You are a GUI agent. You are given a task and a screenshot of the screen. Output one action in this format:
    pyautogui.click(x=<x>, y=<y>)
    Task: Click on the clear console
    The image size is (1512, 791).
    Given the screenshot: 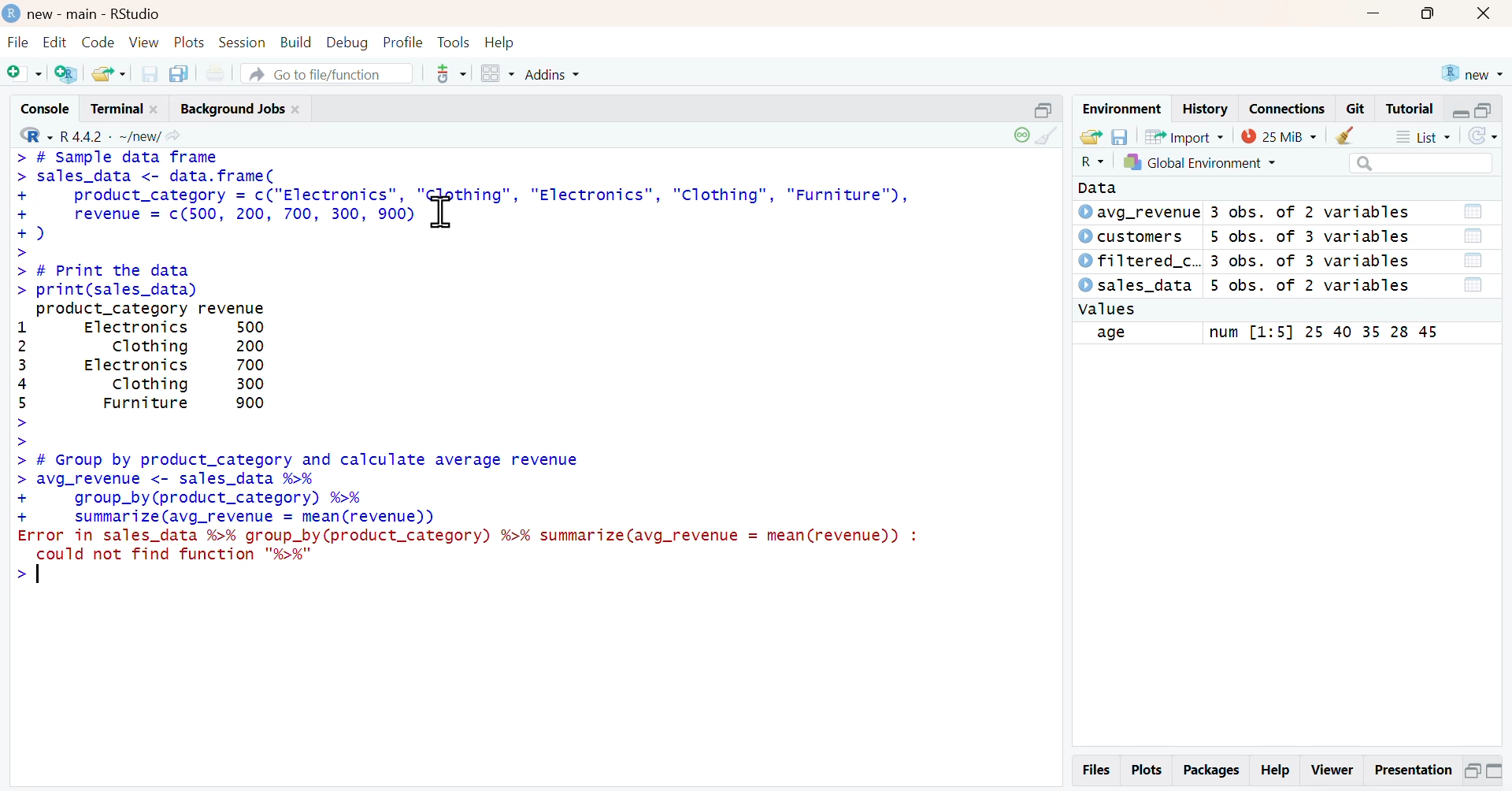 What is the action you would take?
    pyautogui.click(x=1051, y=136)
    